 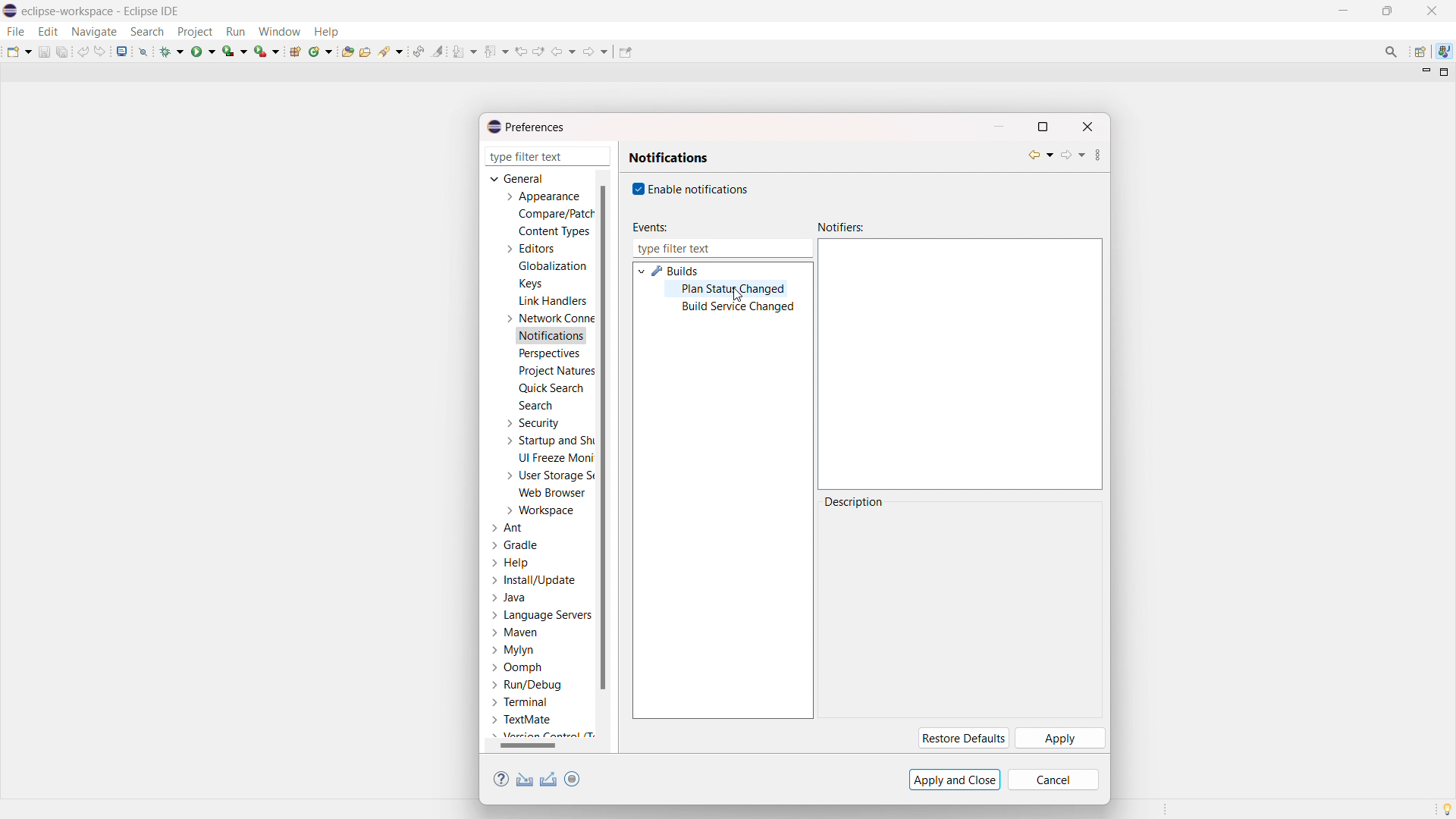 I want to click on appearance, so click(x=541, y=196).